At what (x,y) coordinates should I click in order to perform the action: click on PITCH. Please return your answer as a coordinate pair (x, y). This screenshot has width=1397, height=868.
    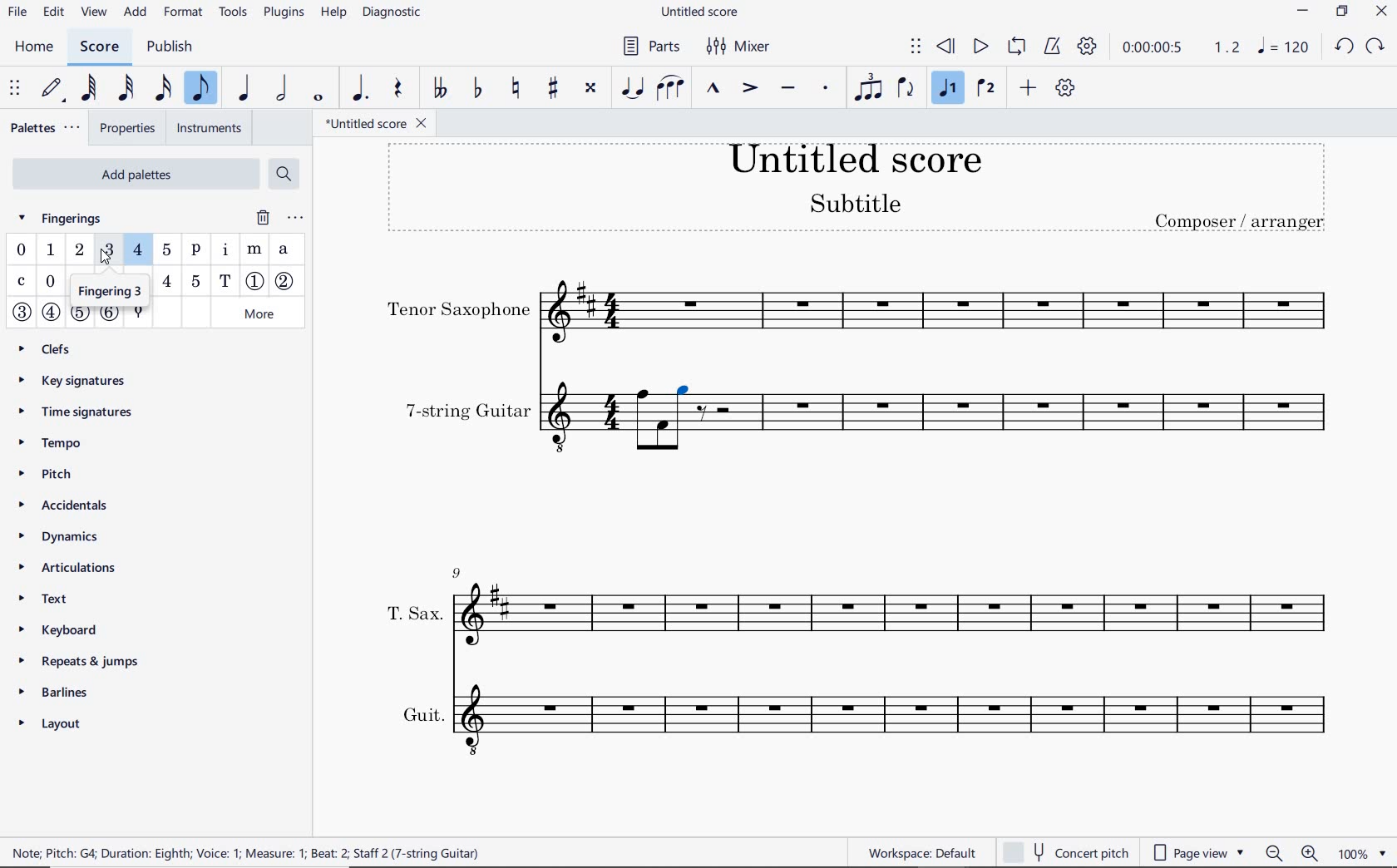
    Looking at the image, I should click on (64, 473).